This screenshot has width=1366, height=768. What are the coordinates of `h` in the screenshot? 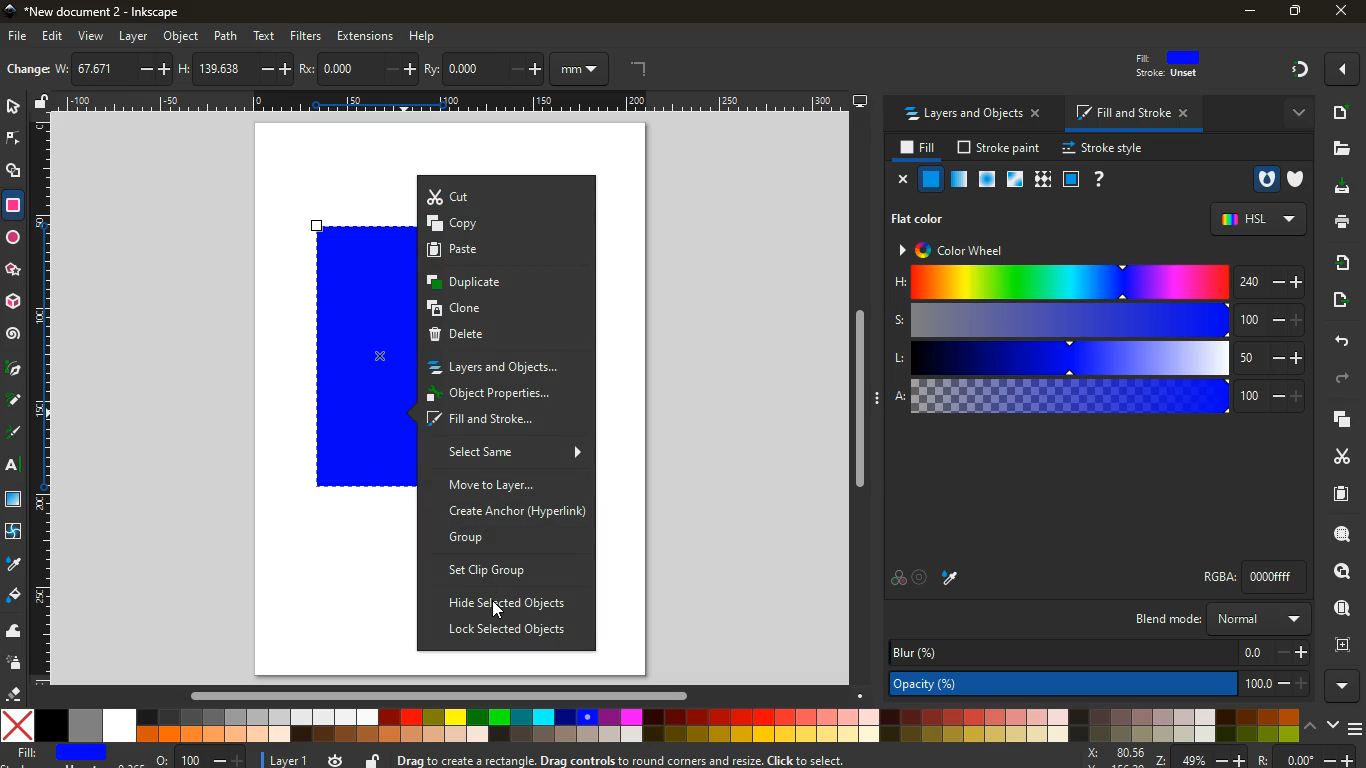 It's located at (1100, 282).